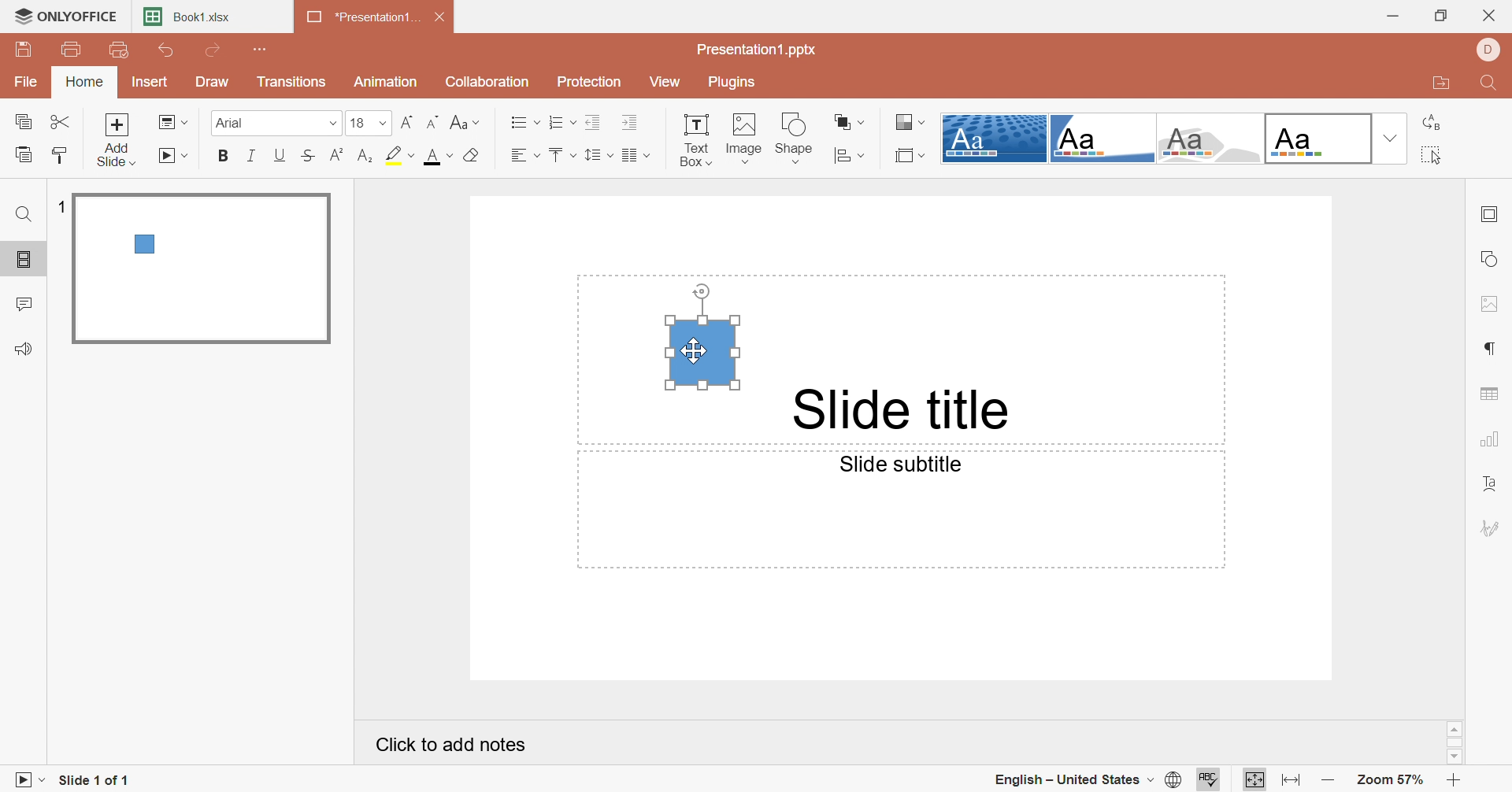 The image size is (1512, 792). What do you see at coordinates (309, 157) in the screenshot?
I see `Strikethrough` at bounding box center [309, 157].